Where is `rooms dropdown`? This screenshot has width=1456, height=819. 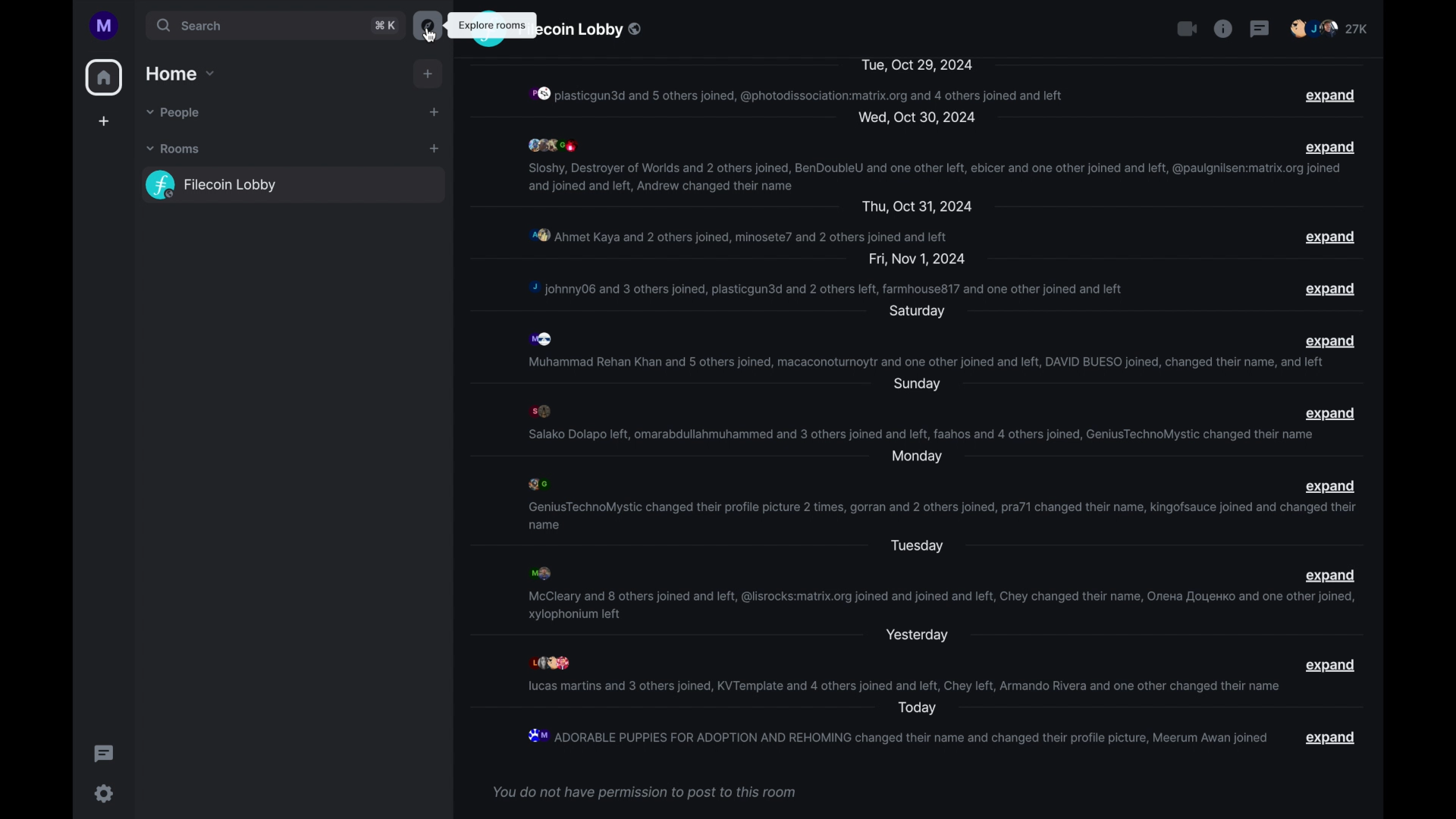 rooms dropdown is located at coordinates (177, 149).